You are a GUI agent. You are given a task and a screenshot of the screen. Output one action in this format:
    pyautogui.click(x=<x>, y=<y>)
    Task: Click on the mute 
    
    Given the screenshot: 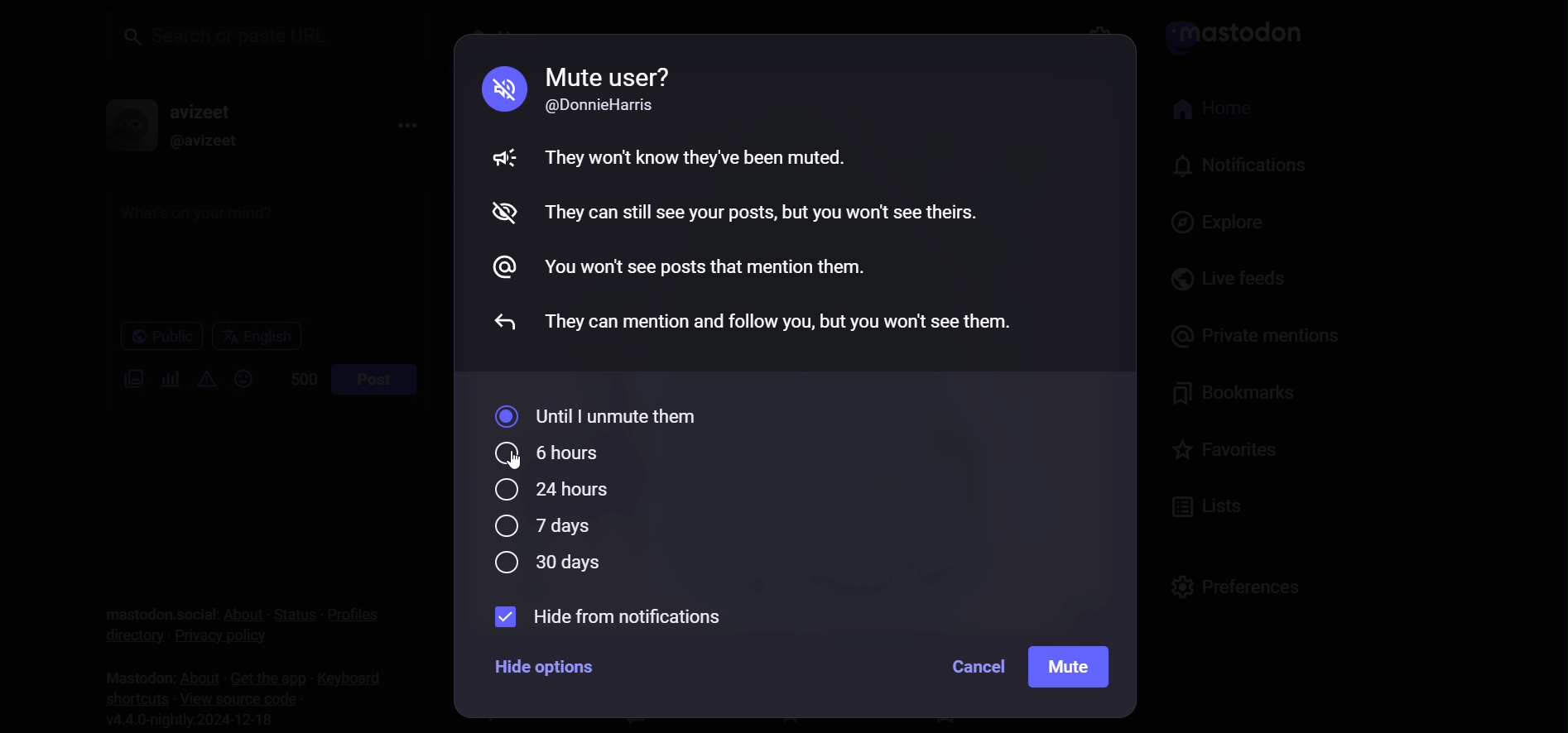 What is the action you would take?
    pyautogui.click(x=1072, y=668)
    